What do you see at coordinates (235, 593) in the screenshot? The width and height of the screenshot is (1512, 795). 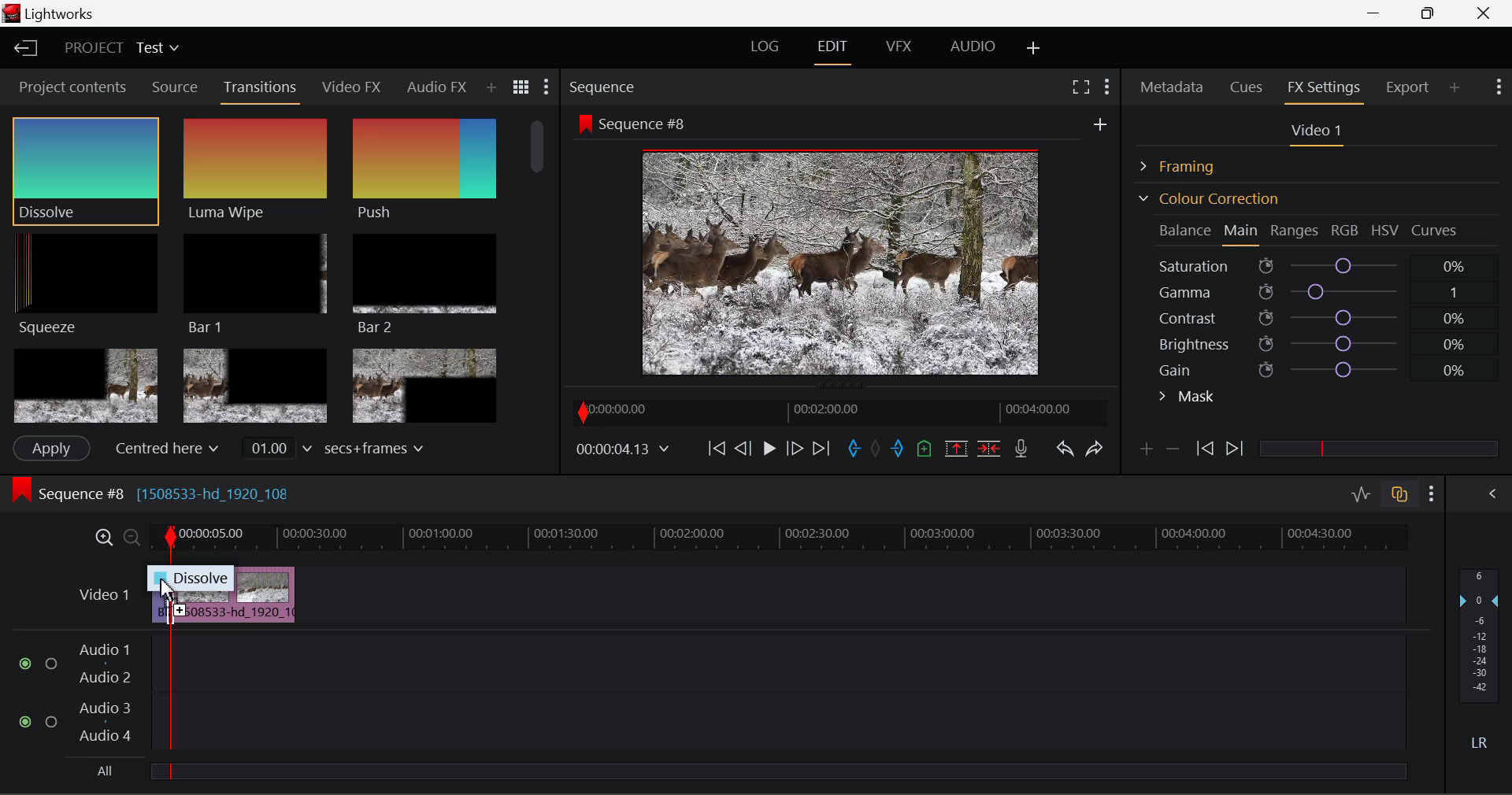 I see `Clip Inserted to Timeline` at bounding box center [235, 593].